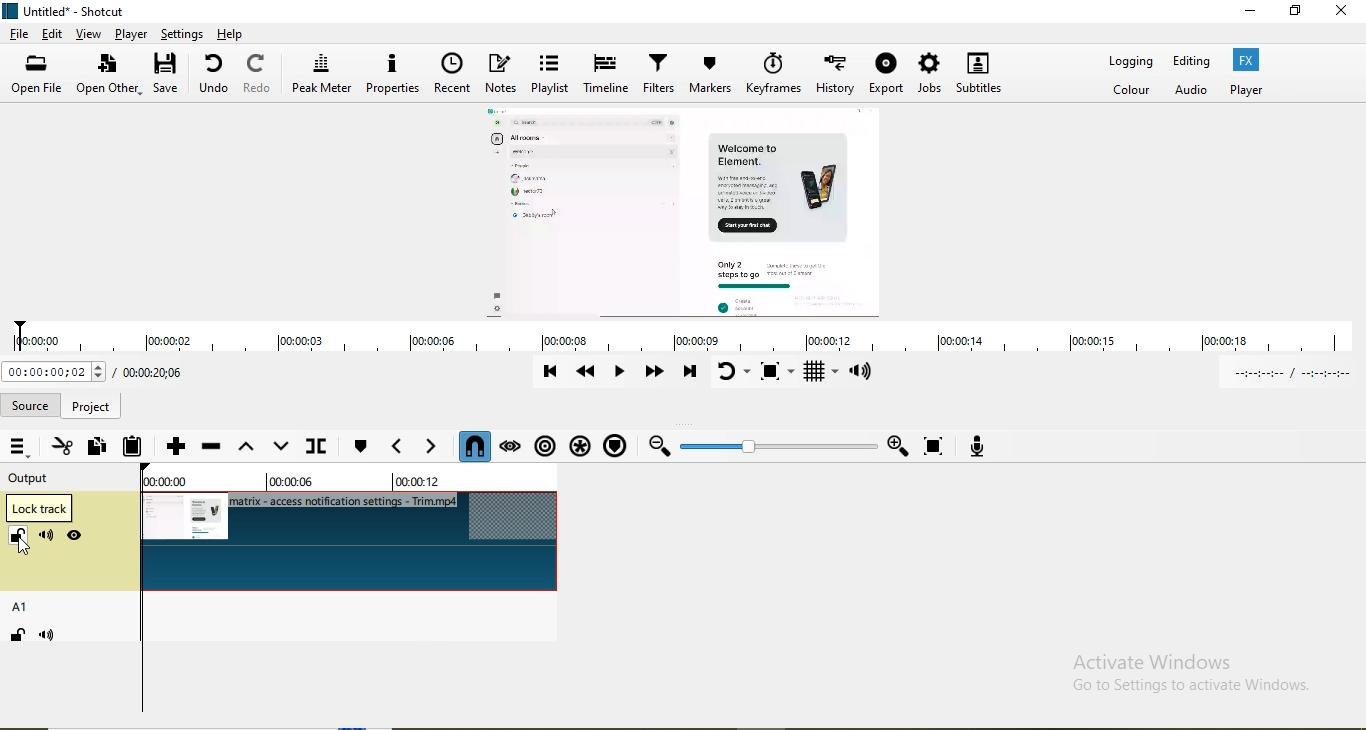  What do you see at coordinates (37, 72) in the screenshot?
I see `Open file ` at bounding box center [37, 72].